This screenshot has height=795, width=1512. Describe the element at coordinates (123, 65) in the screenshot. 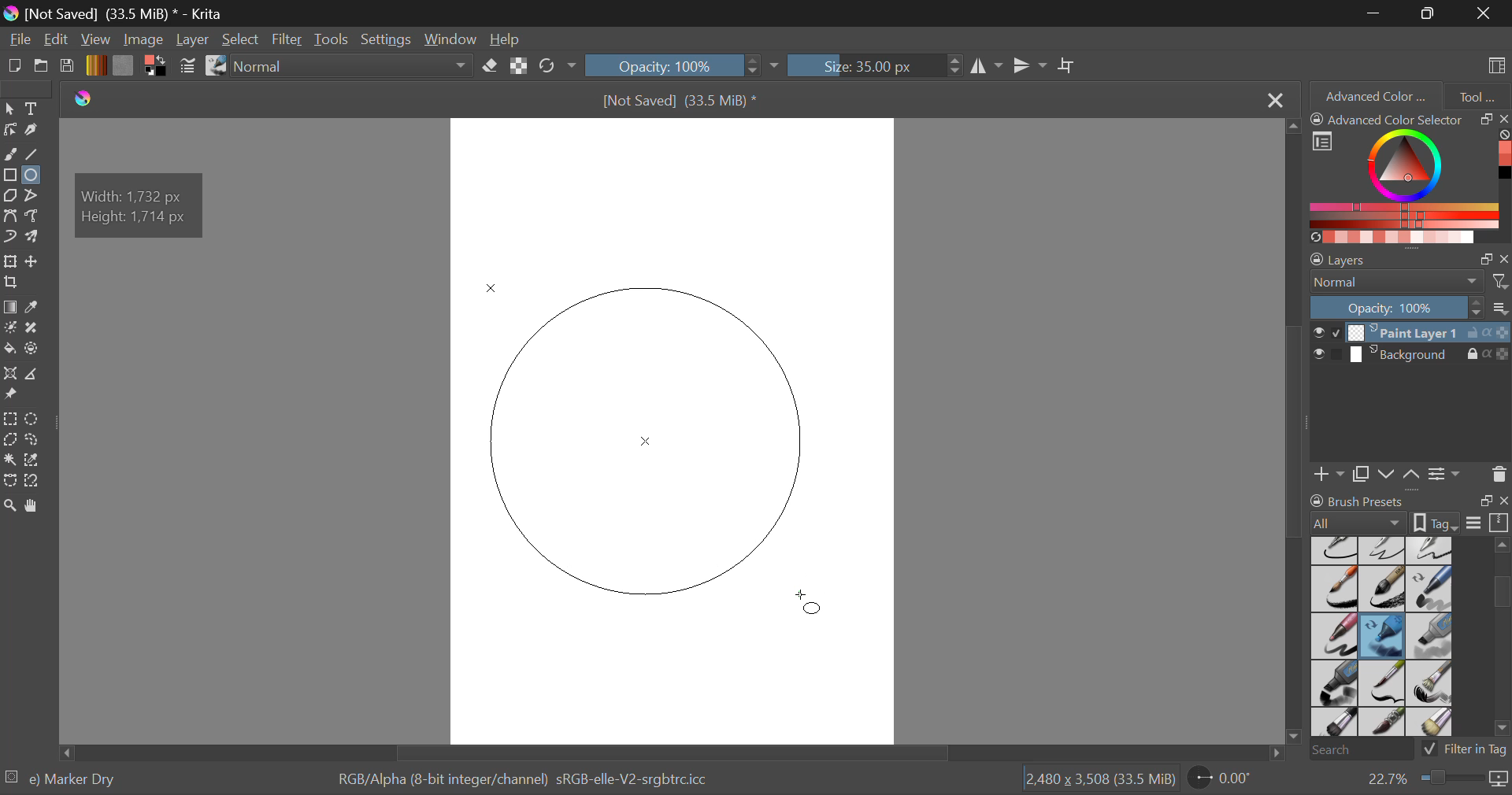

I see `Texture` at that location.